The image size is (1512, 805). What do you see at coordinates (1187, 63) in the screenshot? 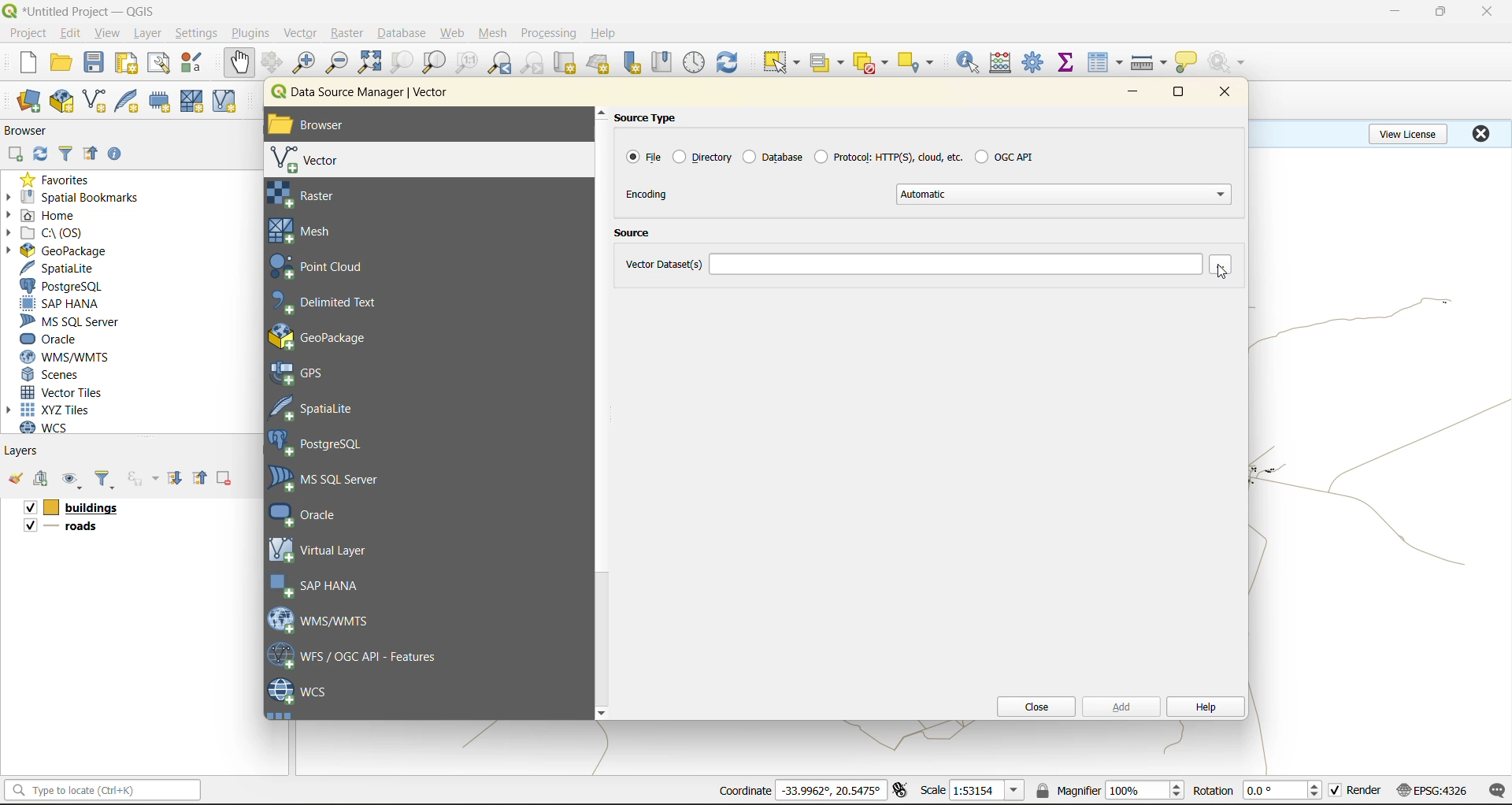
I see `show tips` at bounding box center [1187, 63].